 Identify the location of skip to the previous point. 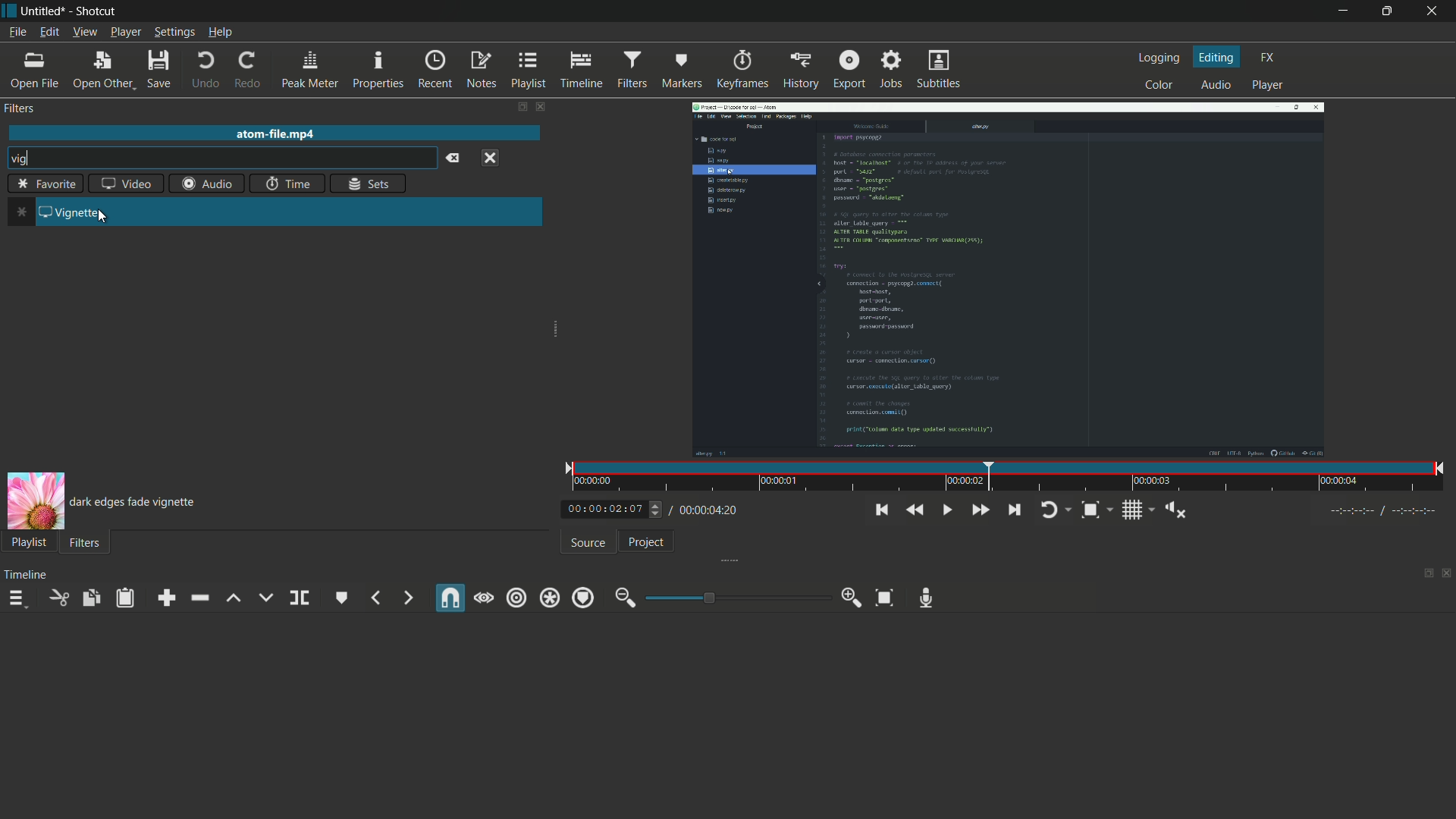
(880, 510).